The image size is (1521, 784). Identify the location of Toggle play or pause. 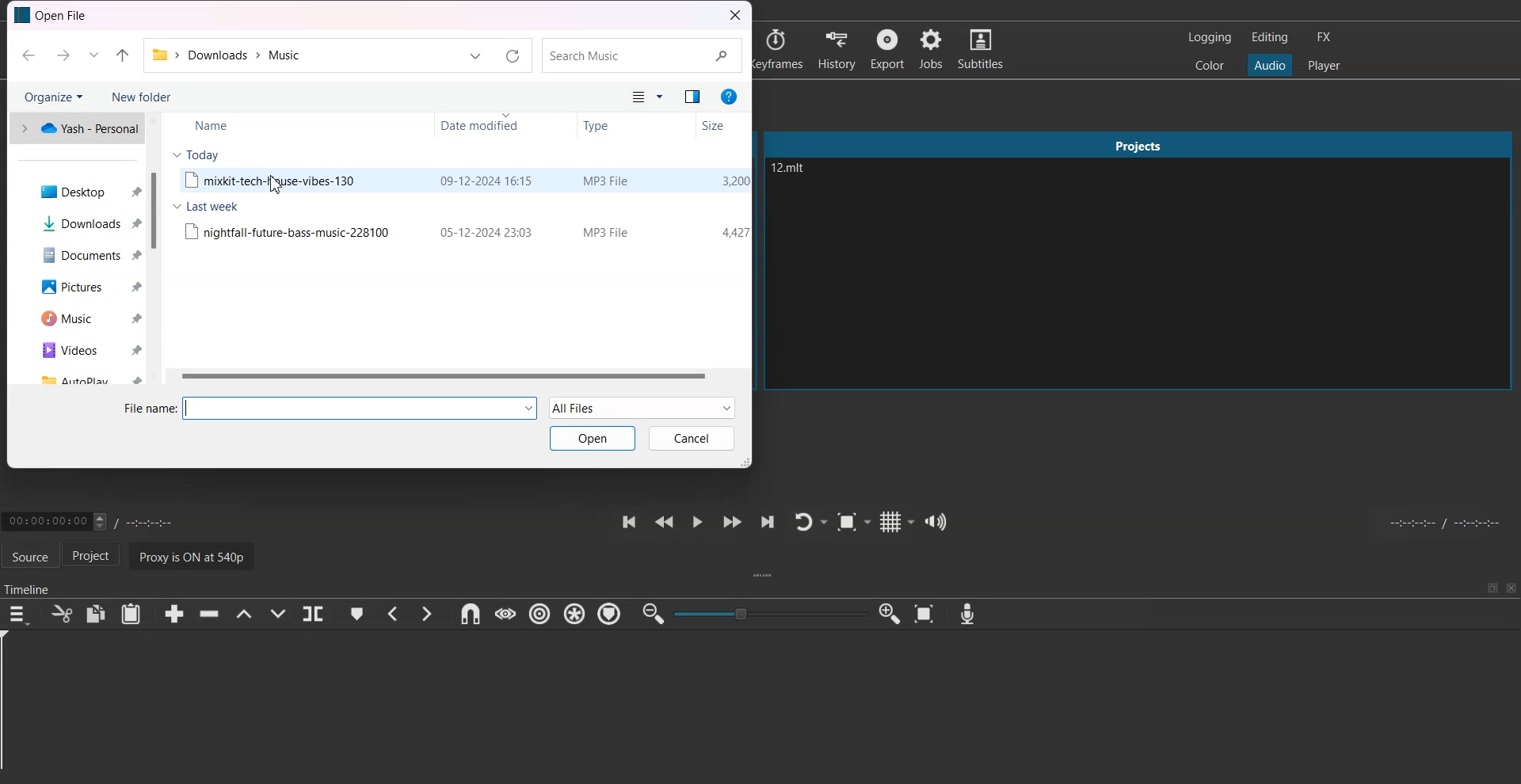
(697, 522).